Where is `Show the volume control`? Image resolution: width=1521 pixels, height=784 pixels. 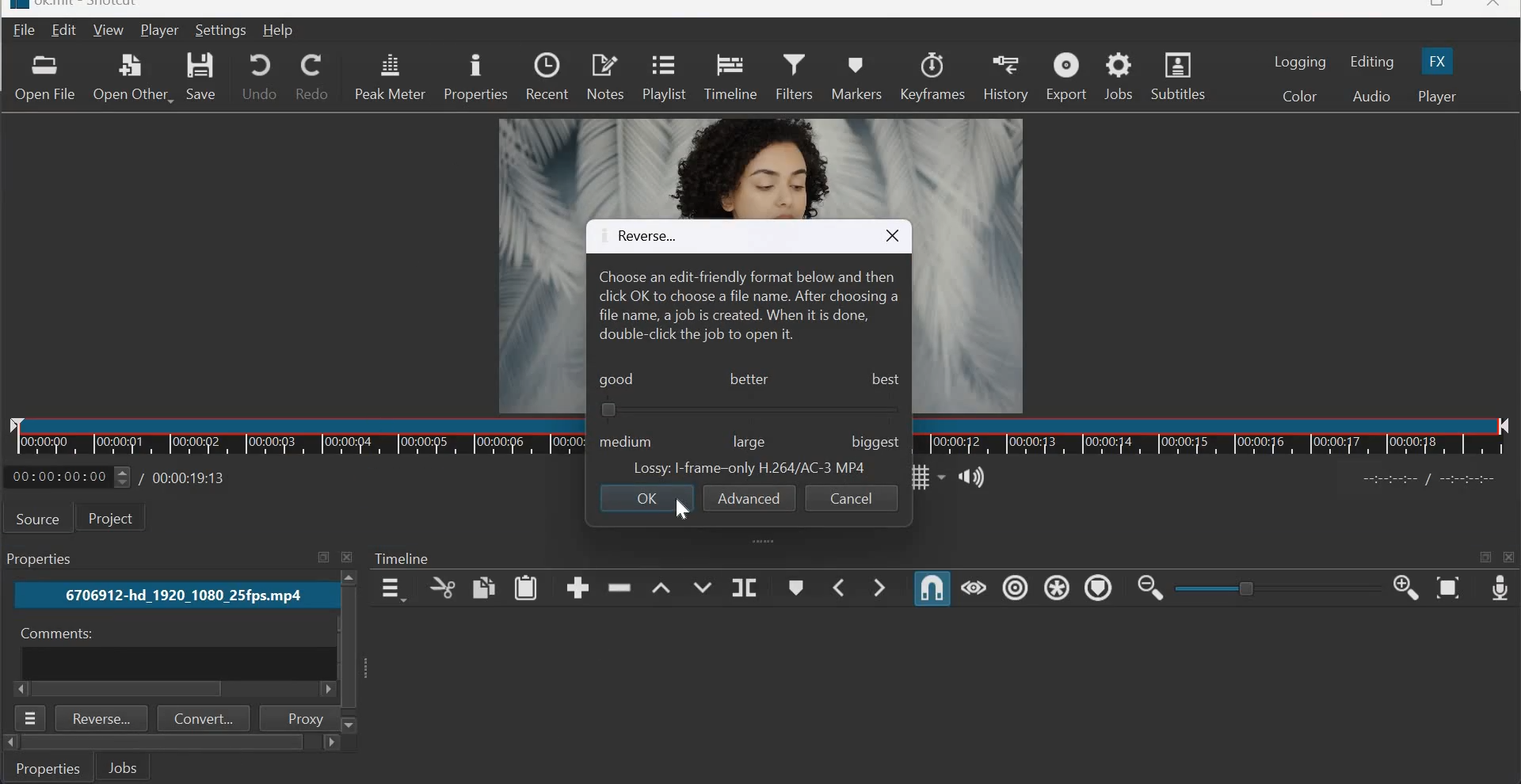 Show the volume control is located at coordinates (974, 474).